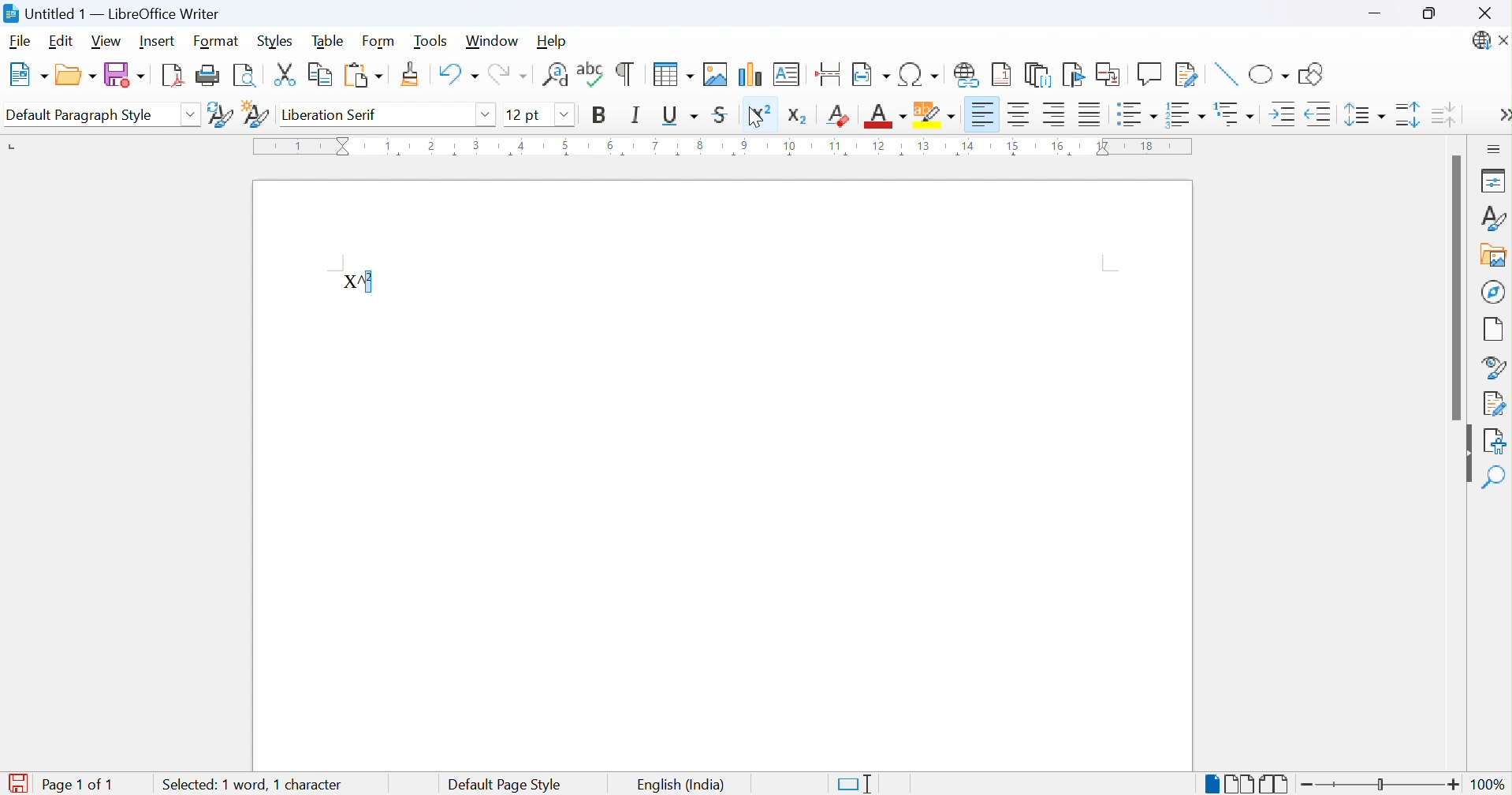 This screenshot has height=795, width=1512. What do you see at coordinates (1241, 783) in the screenshot?
I see `Multiple-page view` at bounding box center [1241, 783].